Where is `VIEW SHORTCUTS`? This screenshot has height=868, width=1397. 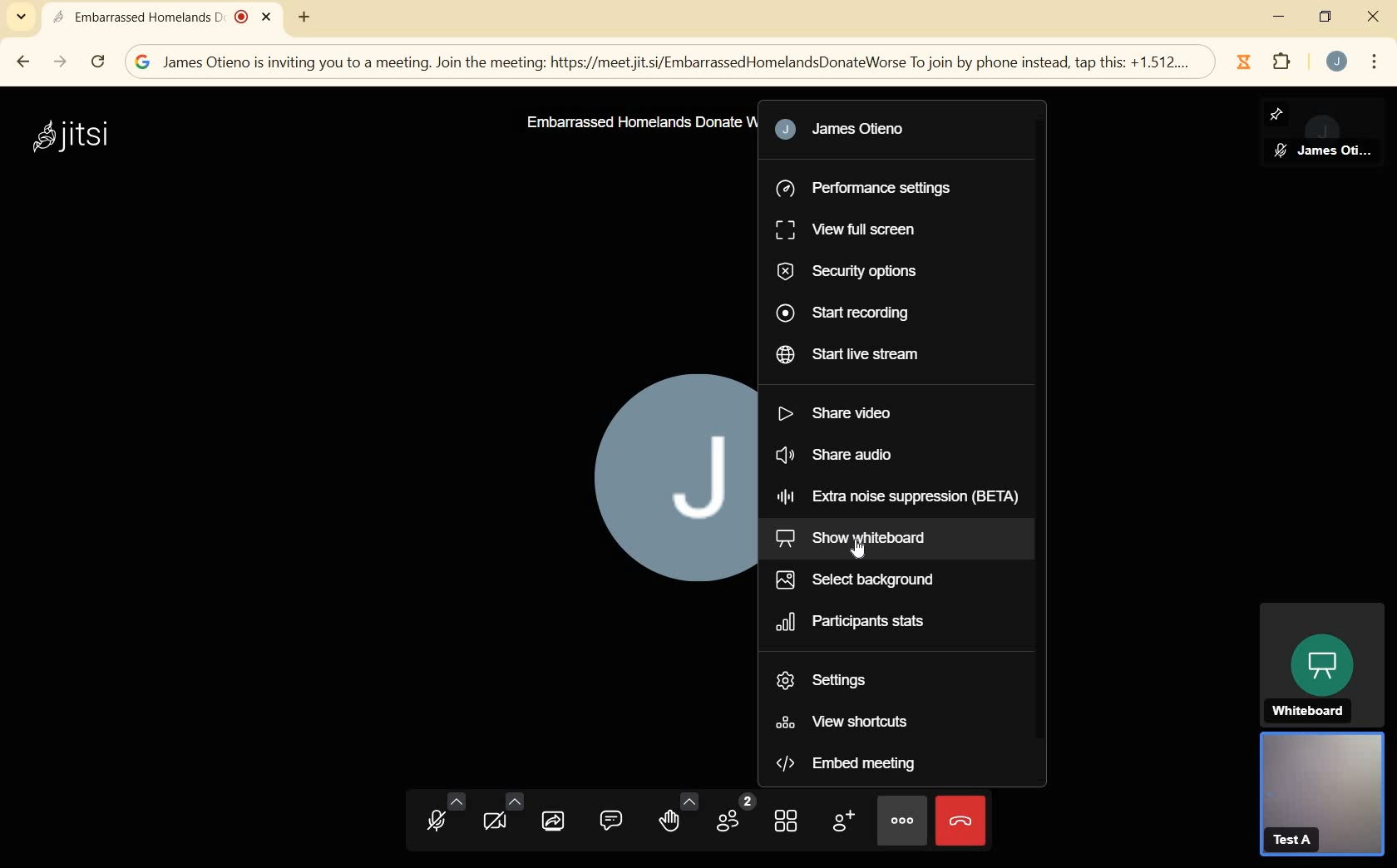 VIEW SHORTCUTS is located at coordinates (847, 723).